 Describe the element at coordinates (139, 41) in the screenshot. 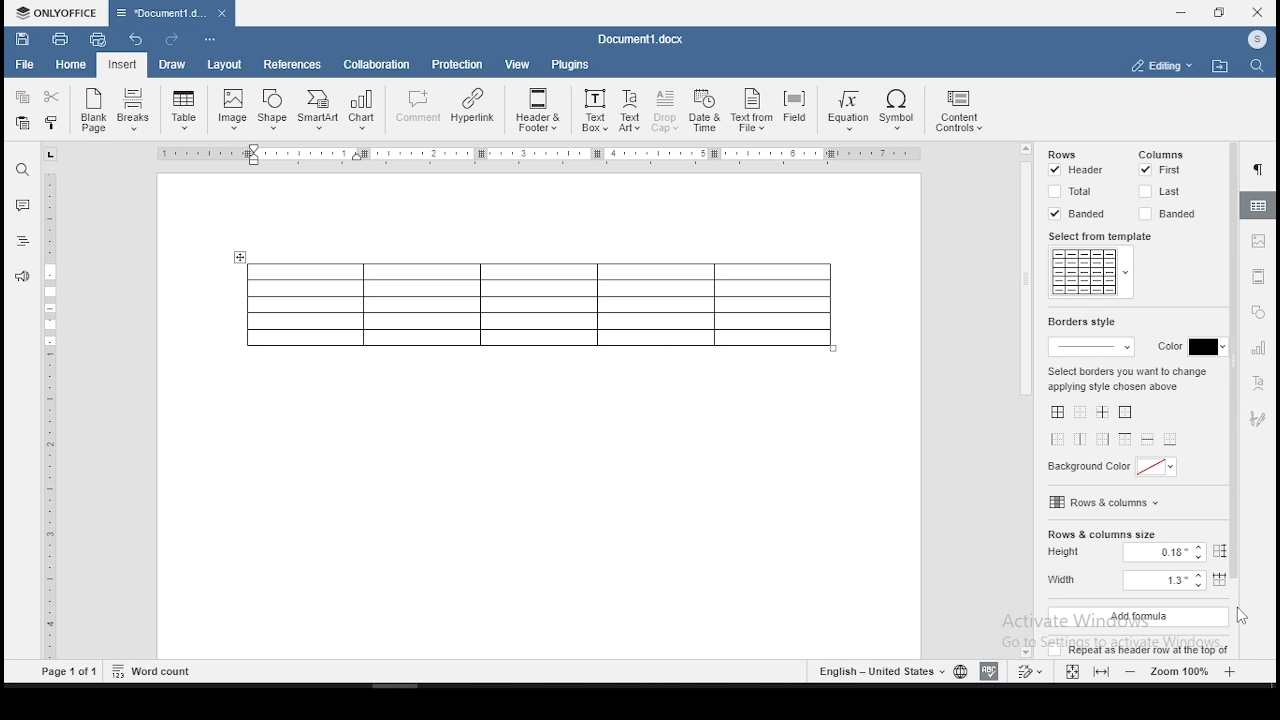

I see `undo` at that location.